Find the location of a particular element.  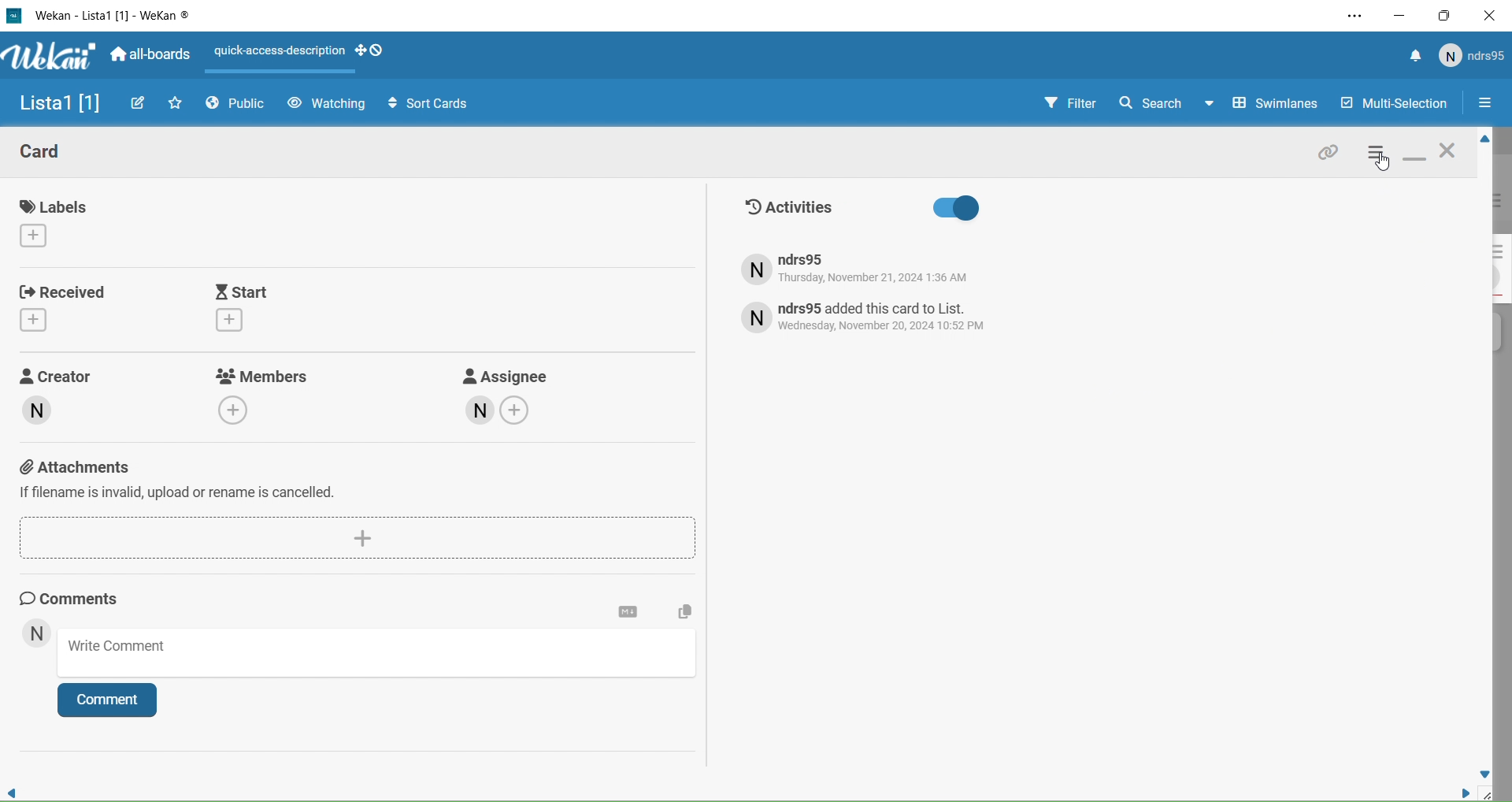

Layout Actions is located at coordinates (276, 51).